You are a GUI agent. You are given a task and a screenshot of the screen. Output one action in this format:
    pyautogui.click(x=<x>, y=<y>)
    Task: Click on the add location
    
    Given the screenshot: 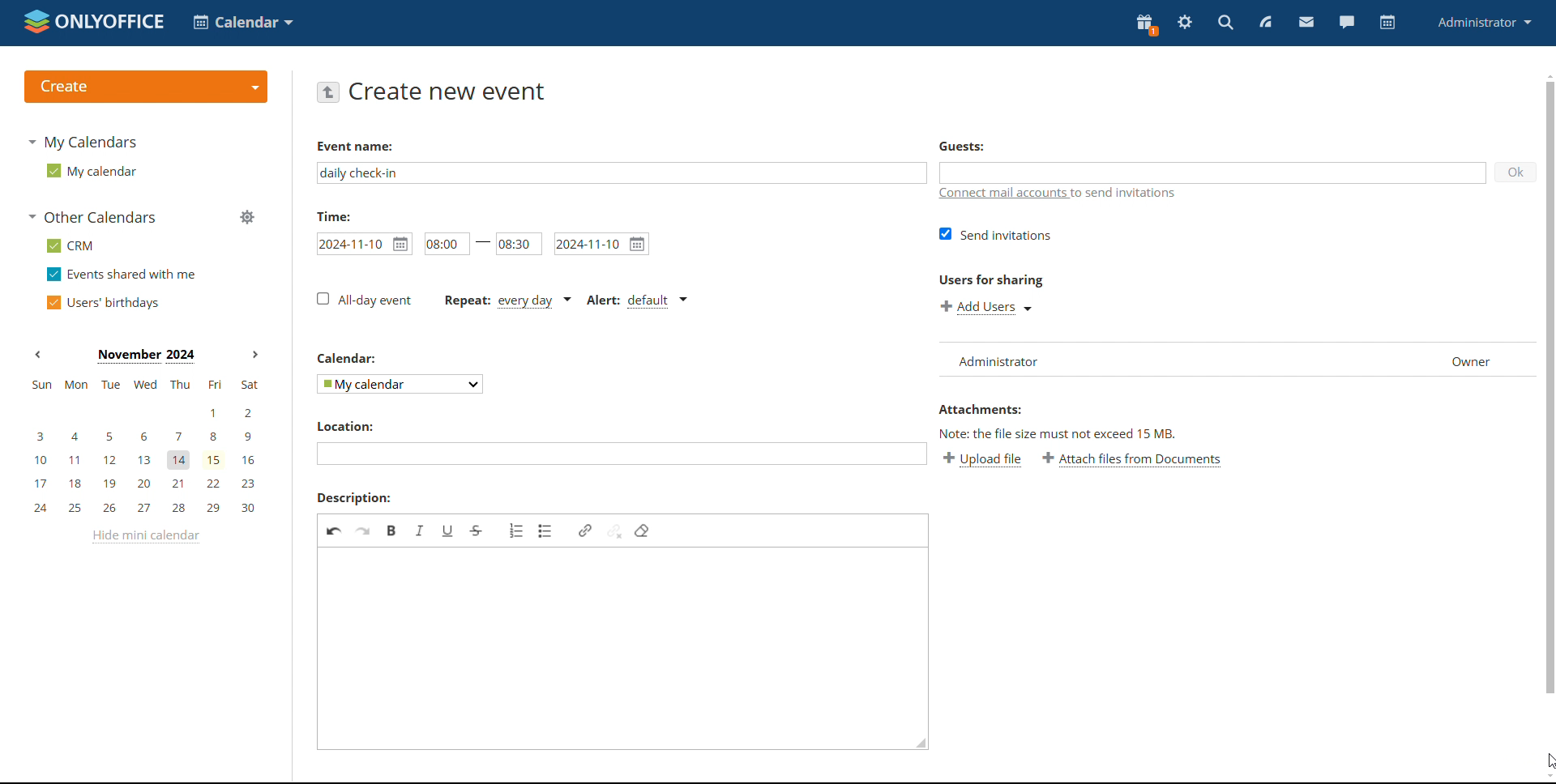 What is the action you would take?
    pyautogui.click(x=622, y=454)
    